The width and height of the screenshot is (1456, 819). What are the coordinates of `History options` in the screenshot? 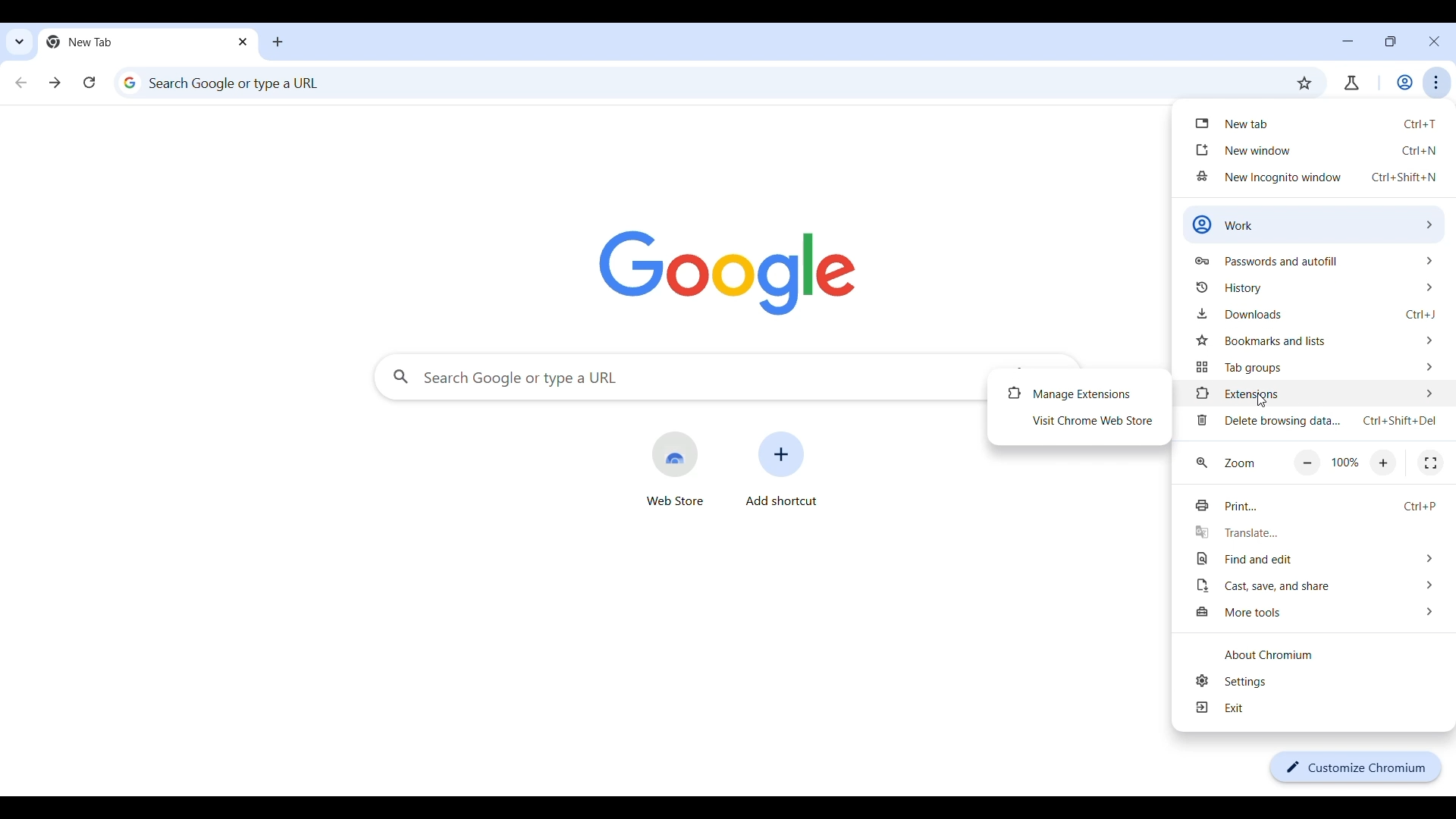 It's located at (1314, 287).